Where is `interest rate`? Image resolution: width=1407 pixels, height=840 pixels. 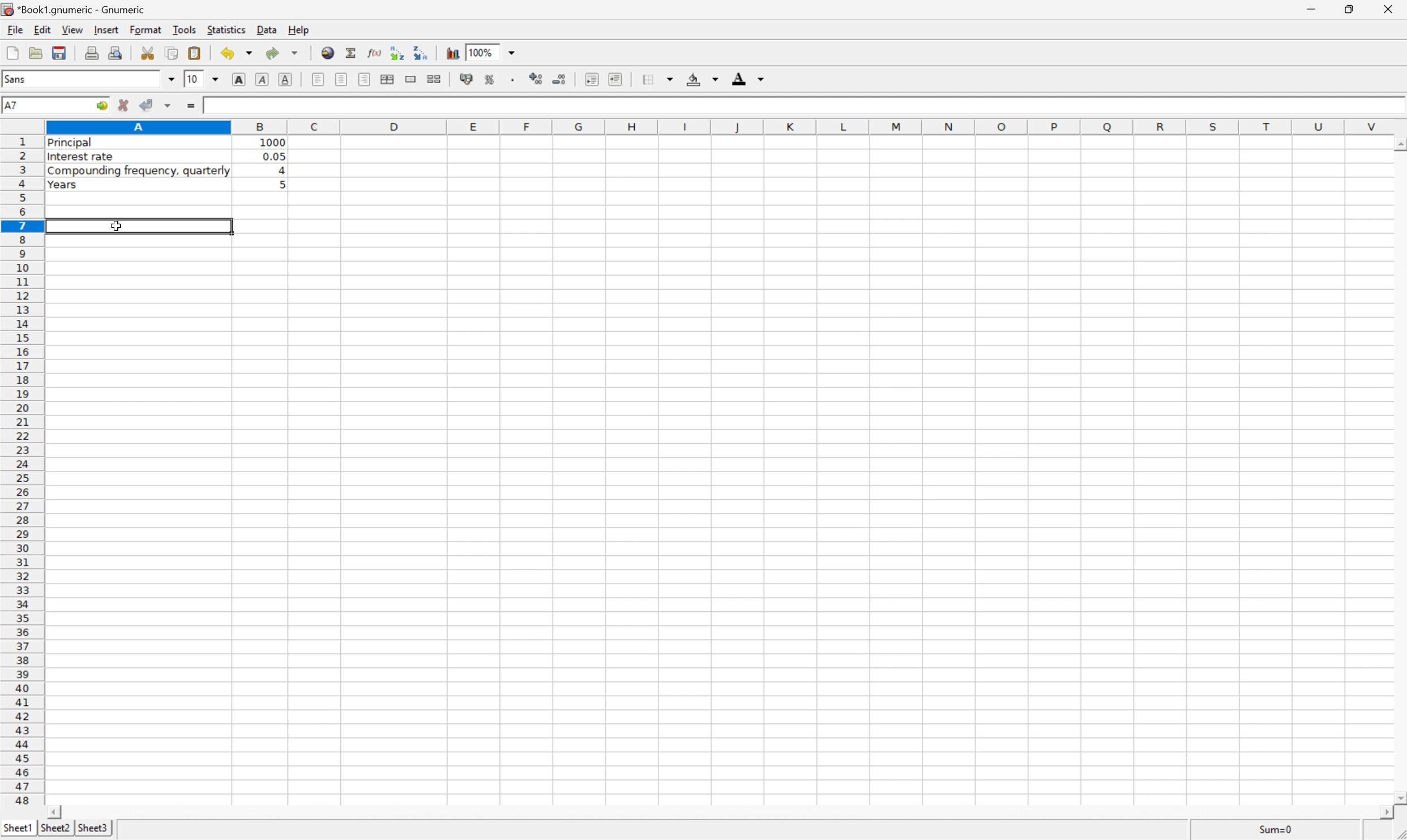 interest rate is located at coordinates (81, 158).